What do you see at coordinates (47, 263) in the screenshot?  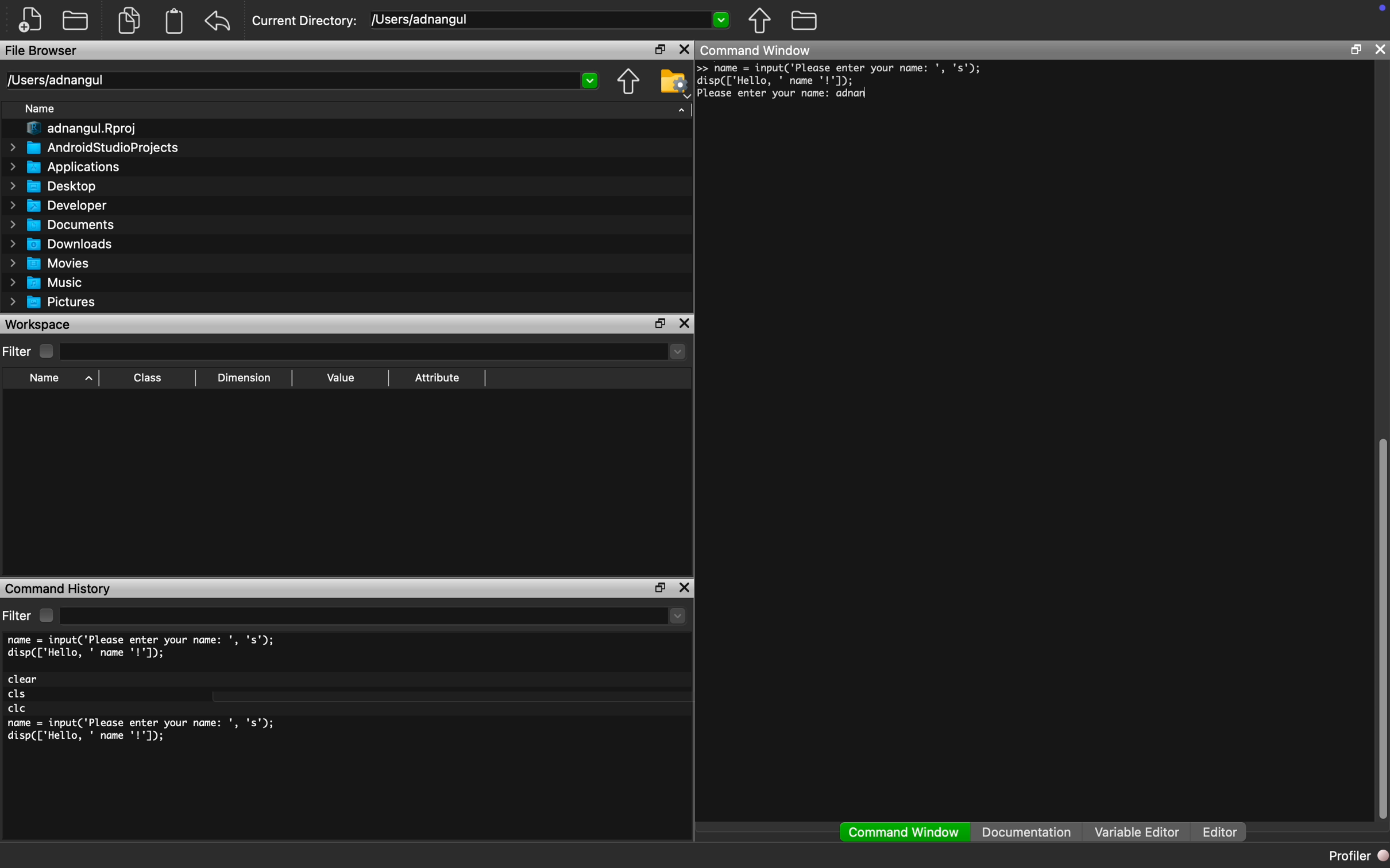 I see `Movies` at bounding box center [47, 263].